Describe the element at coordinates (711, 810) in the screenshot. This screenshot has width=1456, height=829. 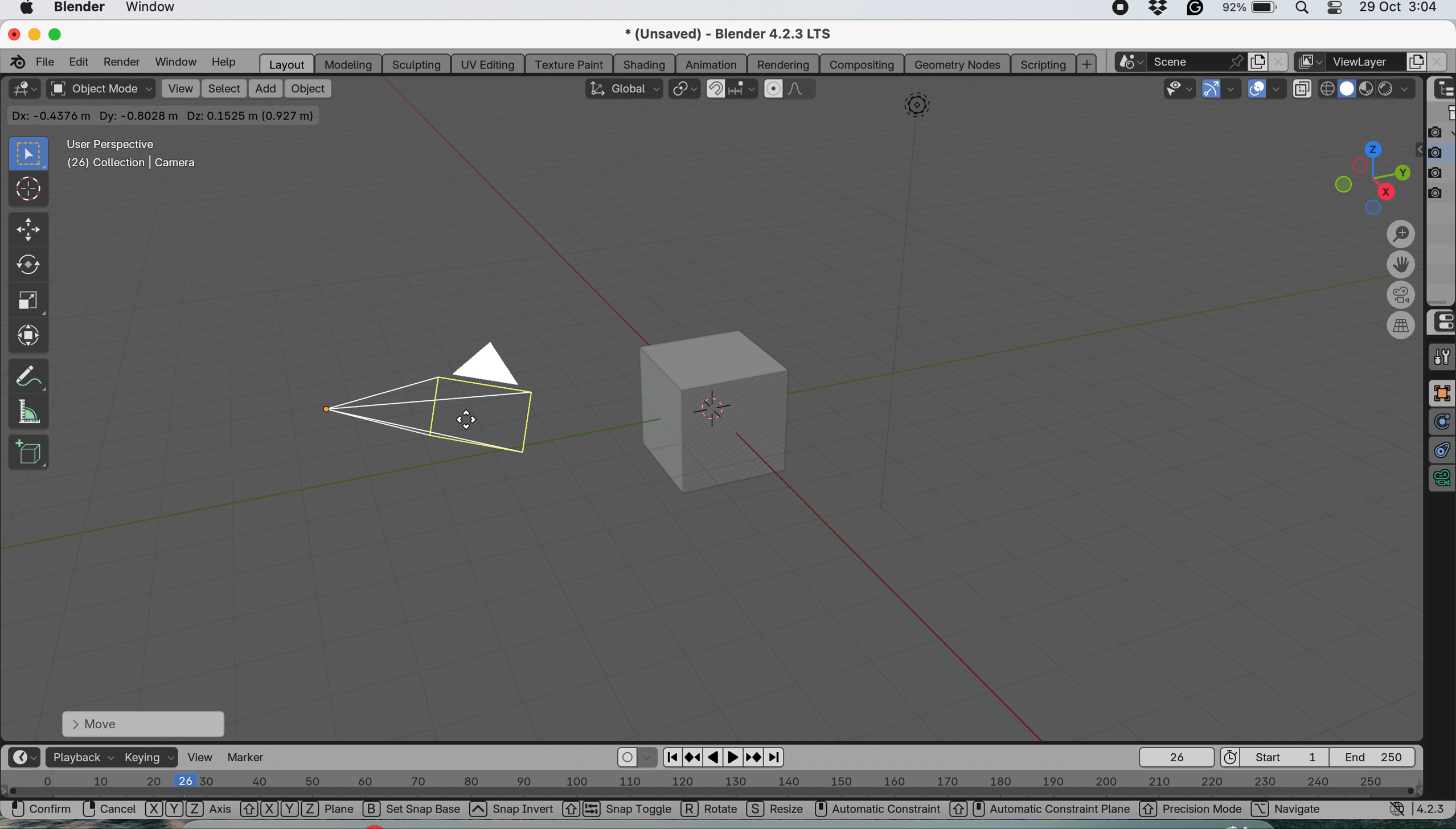
I see `Rotate` at that location.